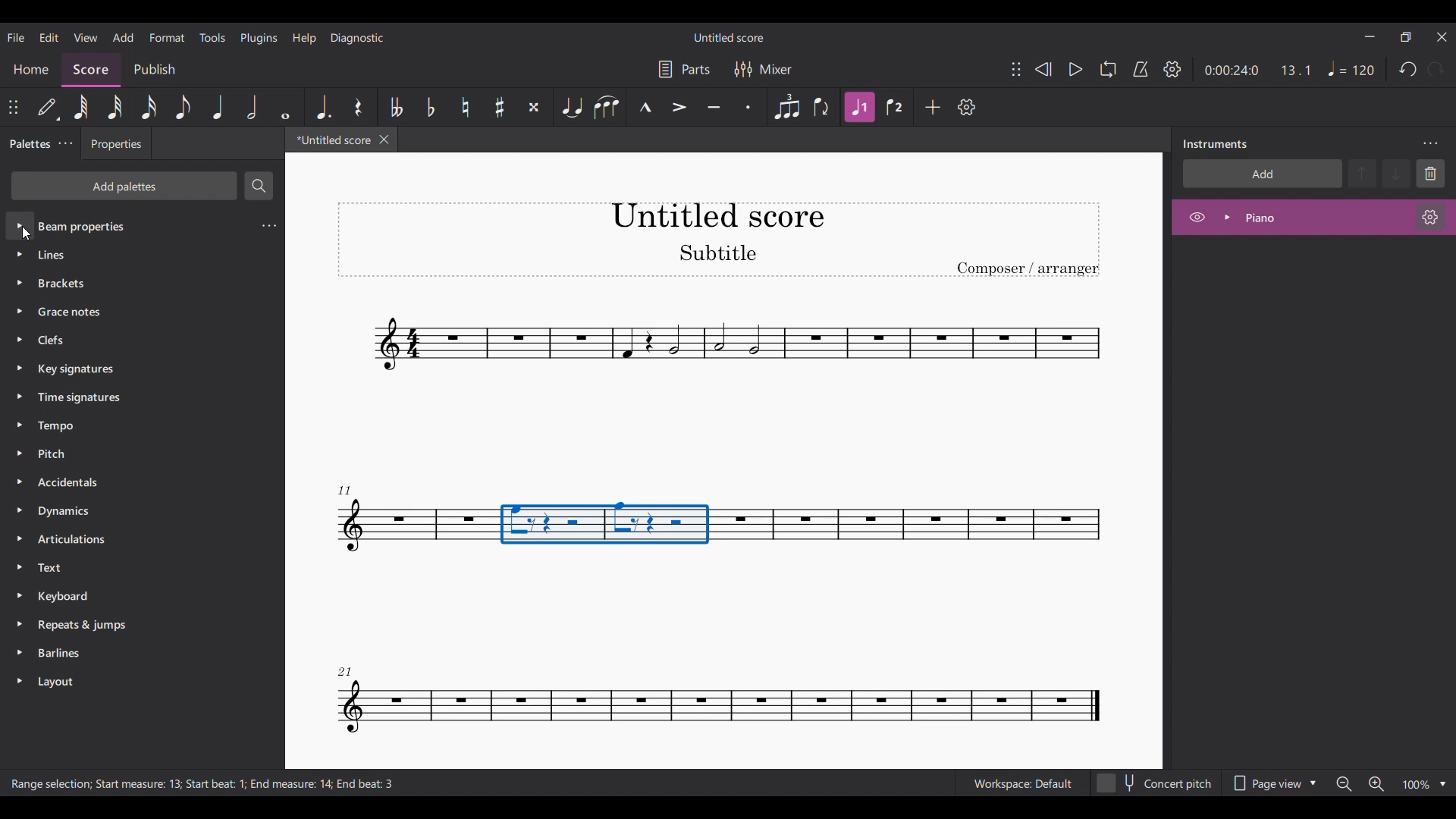 The image size is (1456, 819). Describe the element at coordinates (218, 107) in the screenshot. I see `Quarter note` at that location.